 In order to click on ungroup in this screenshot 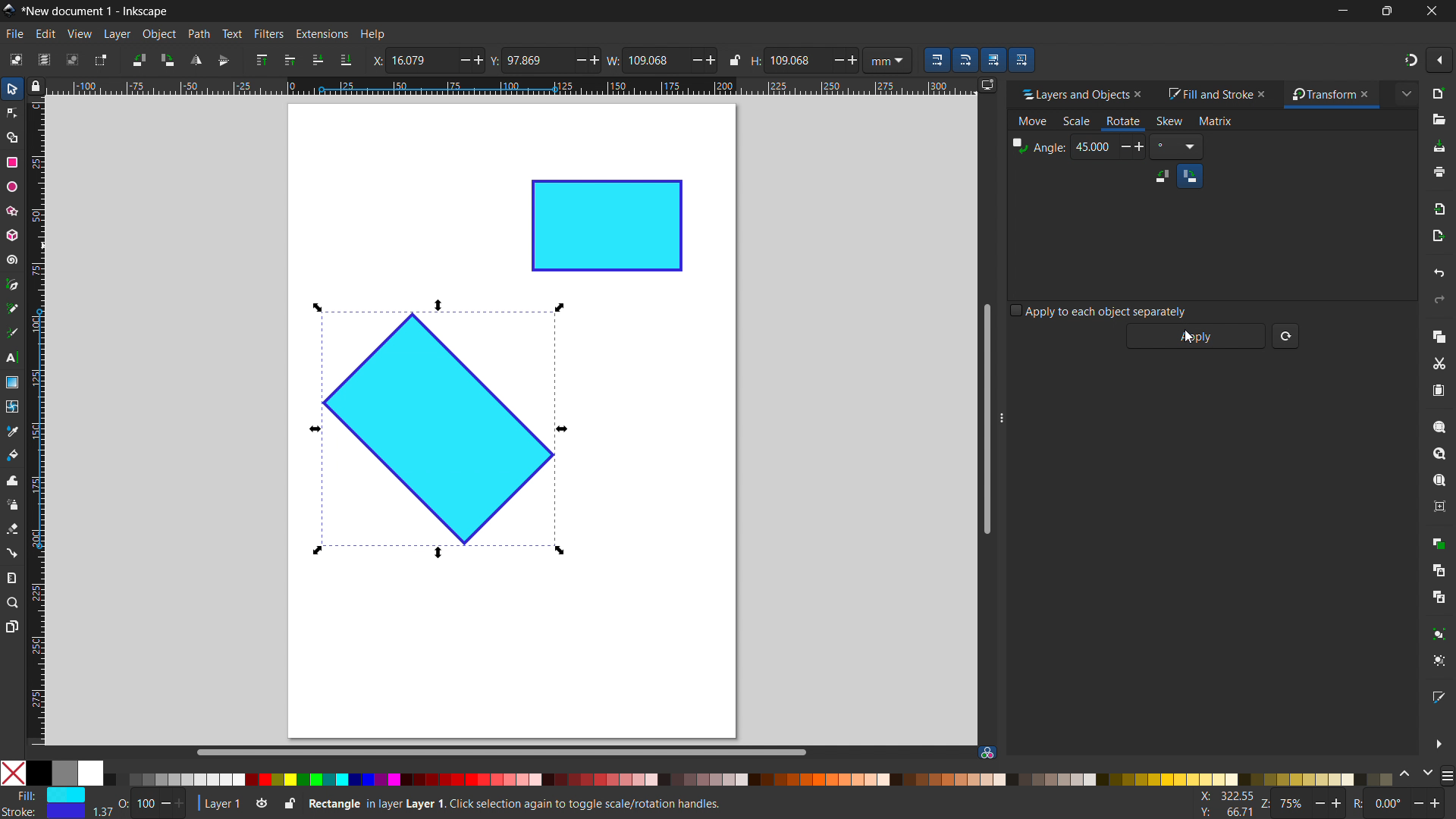, I will do `click(1441, 661)`.